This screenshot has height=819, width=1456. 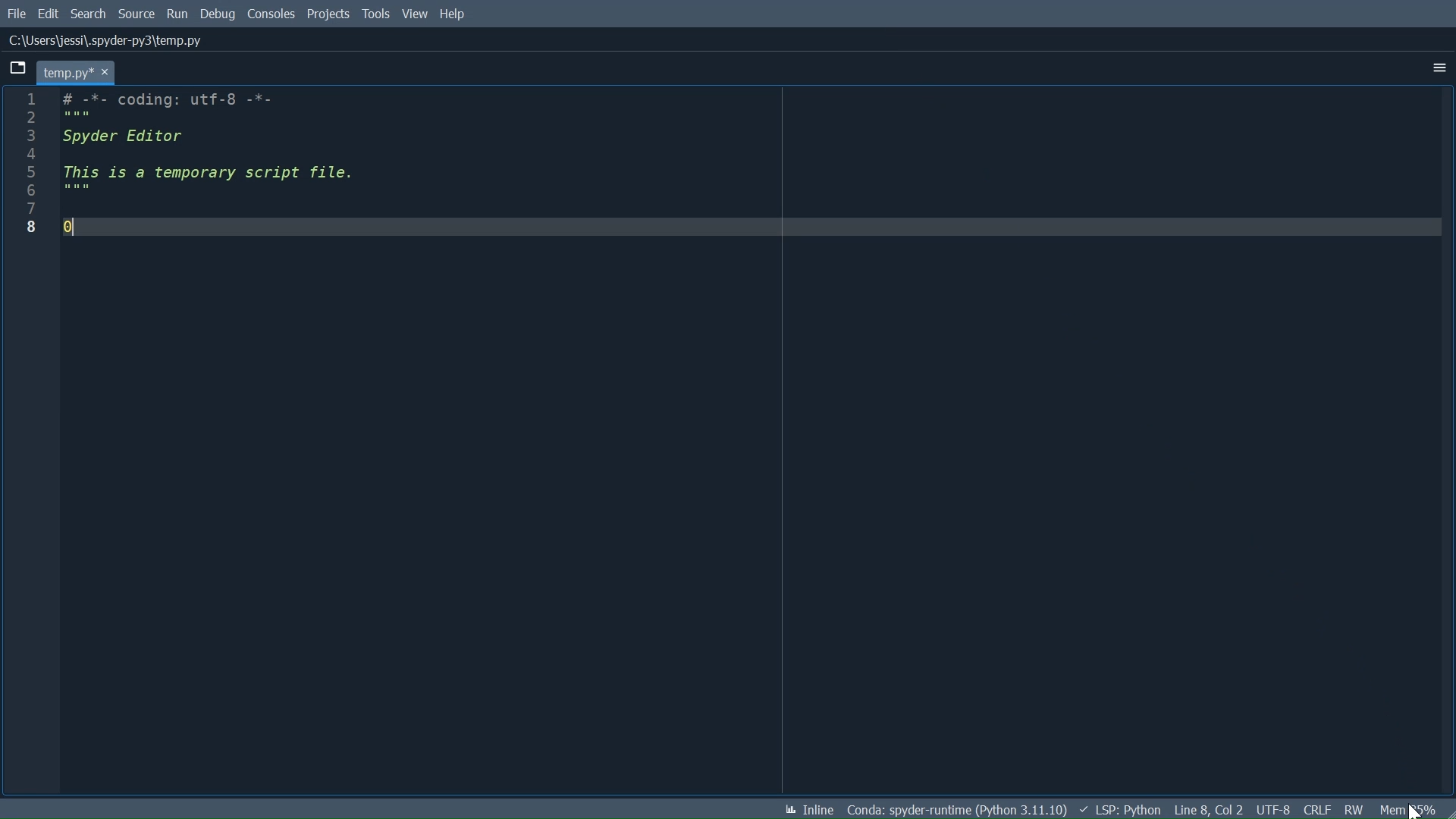 What do you see at coordinates (136, 14) in the screenshot?
I see `Source` at bounding box center [136, 14].